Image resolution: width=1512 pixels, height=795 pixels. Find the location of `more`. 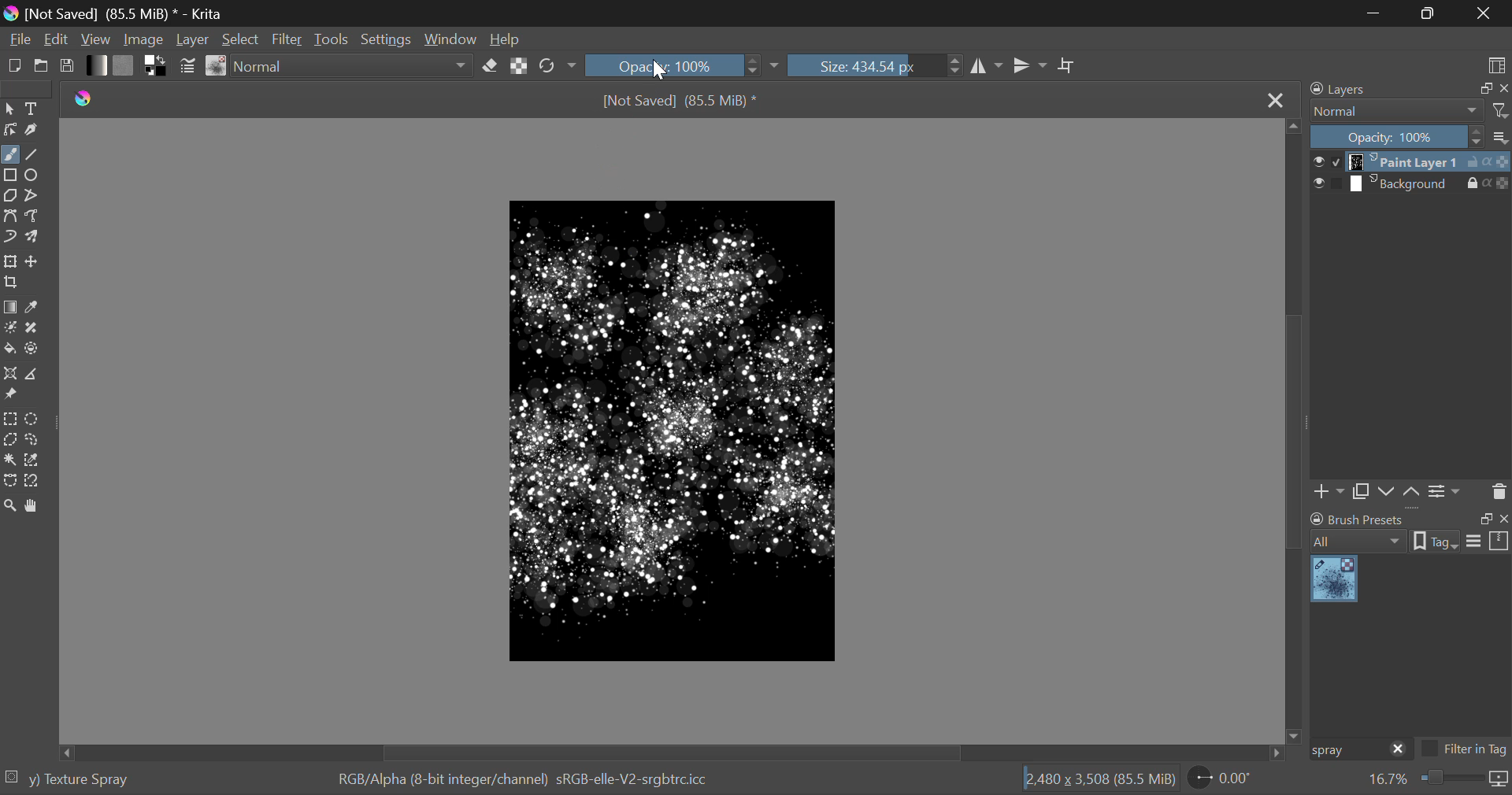

more is located at coordinates (1501, 136).